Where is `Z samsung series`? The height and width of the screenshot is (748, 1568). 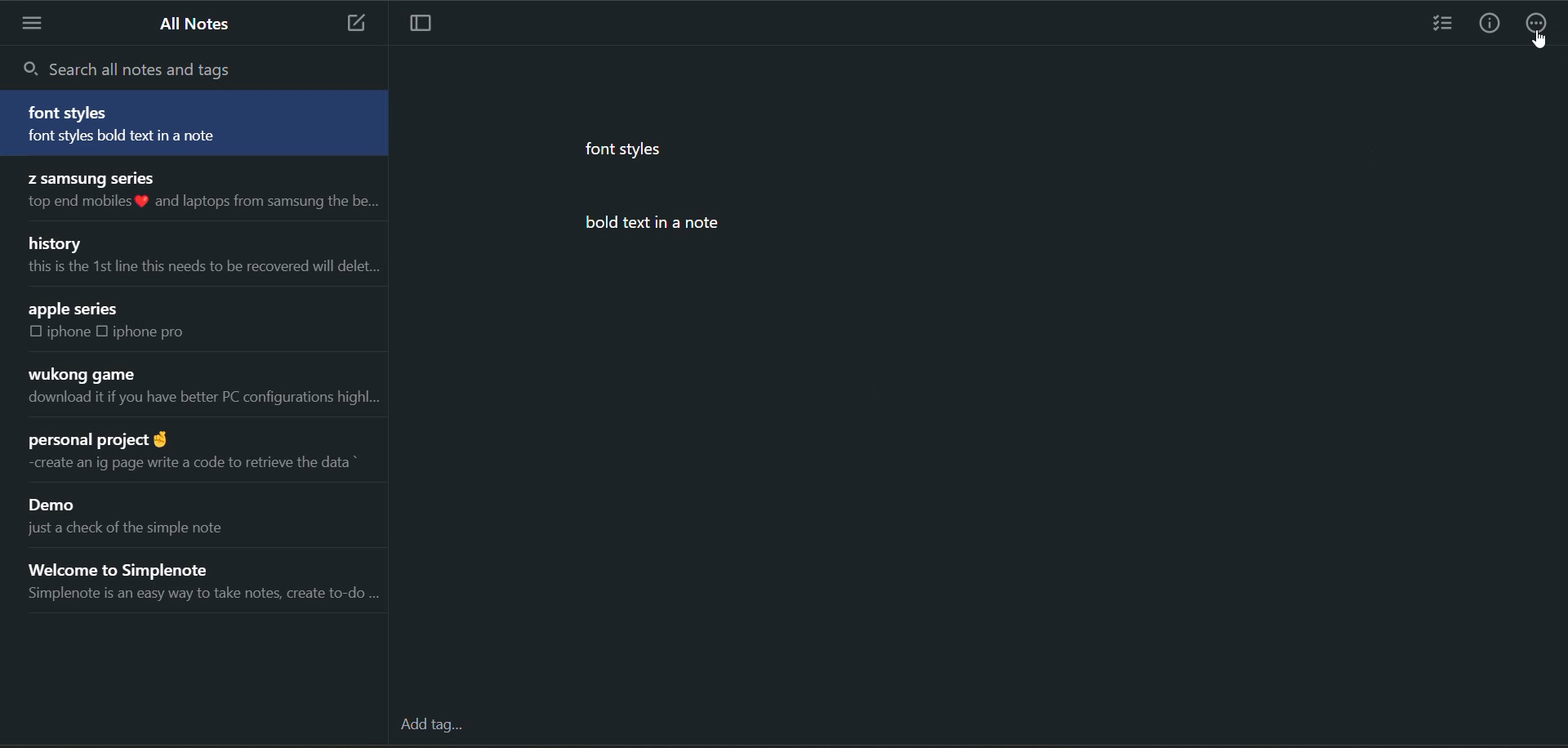 Z samsung series is located at coordinates (89, 176).